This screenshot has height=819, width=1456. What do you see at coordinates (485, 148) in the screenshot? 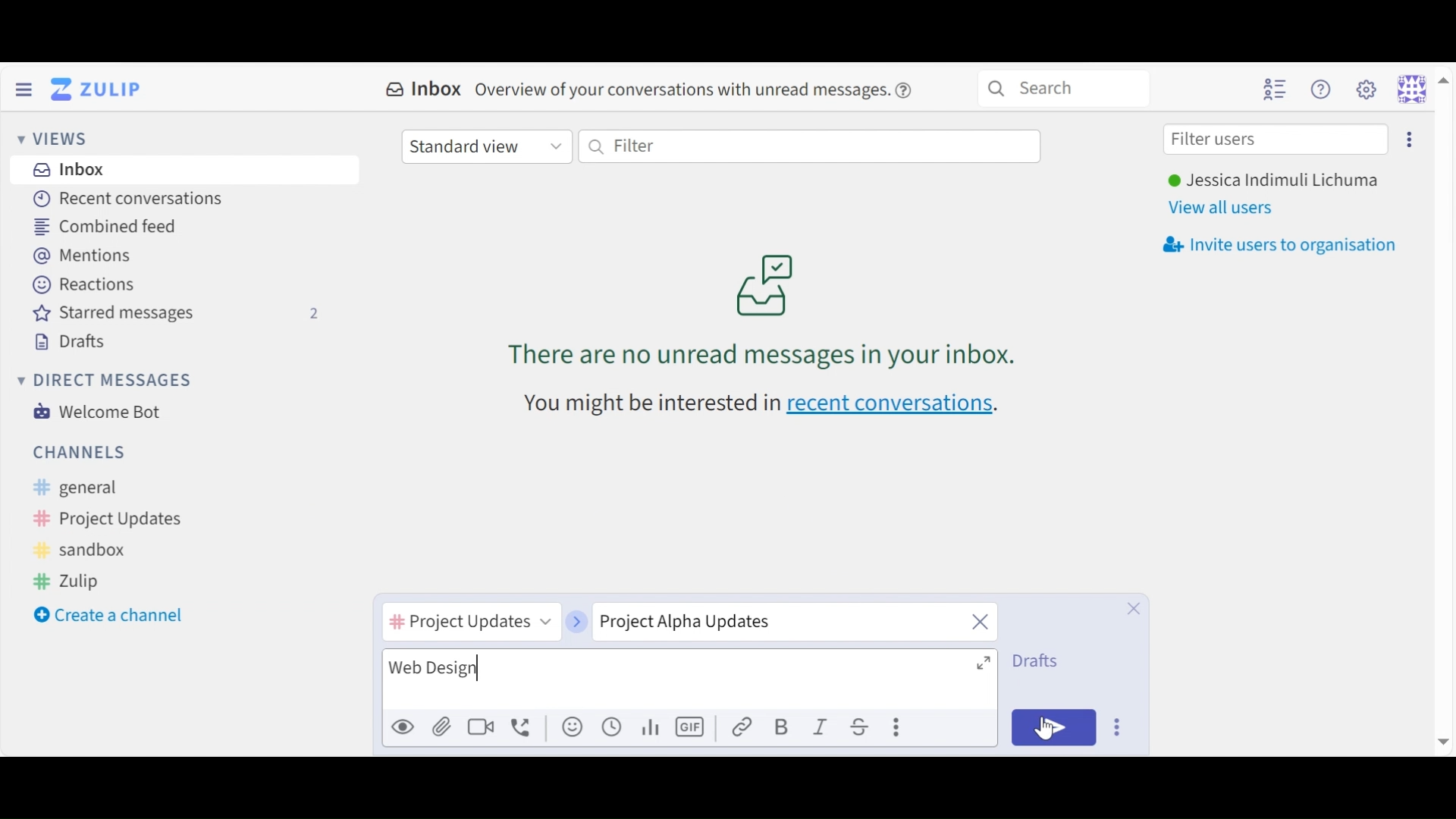
I see `Standard View` at bounding box center [485, 148].